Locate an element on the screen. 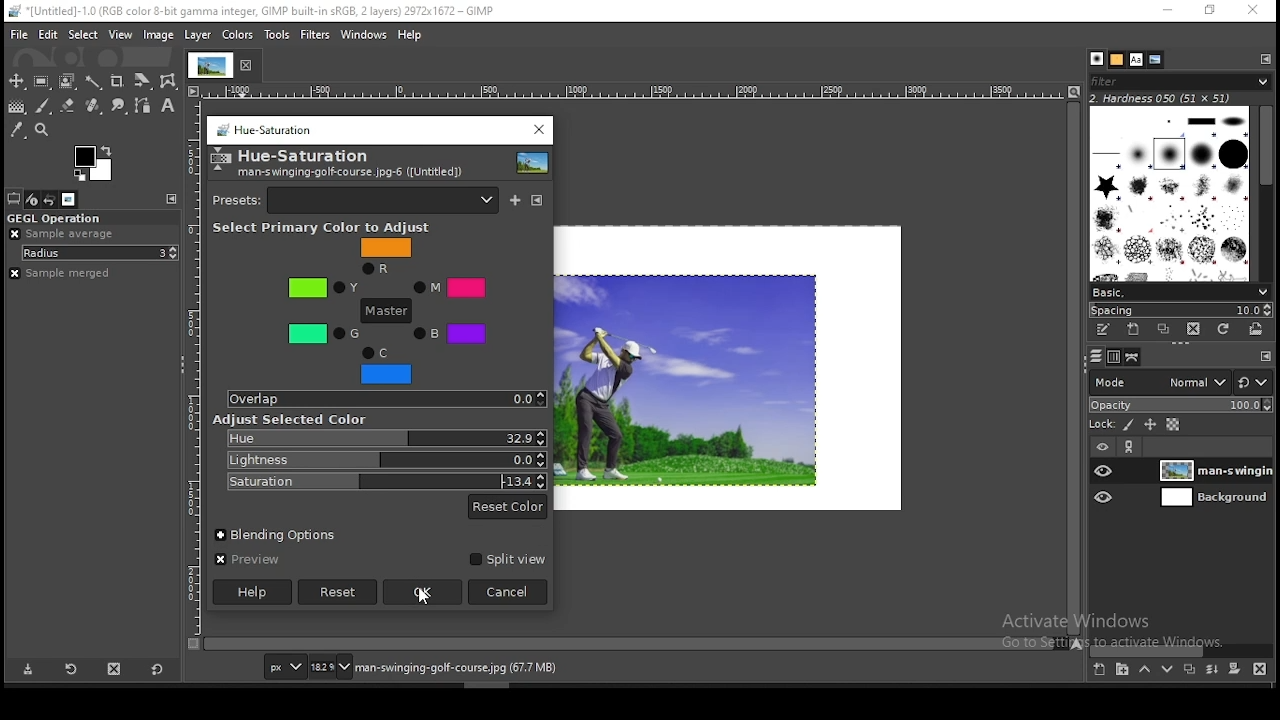 The image size is (1280, 720). brush presets is located at coordinates (1179, 292).